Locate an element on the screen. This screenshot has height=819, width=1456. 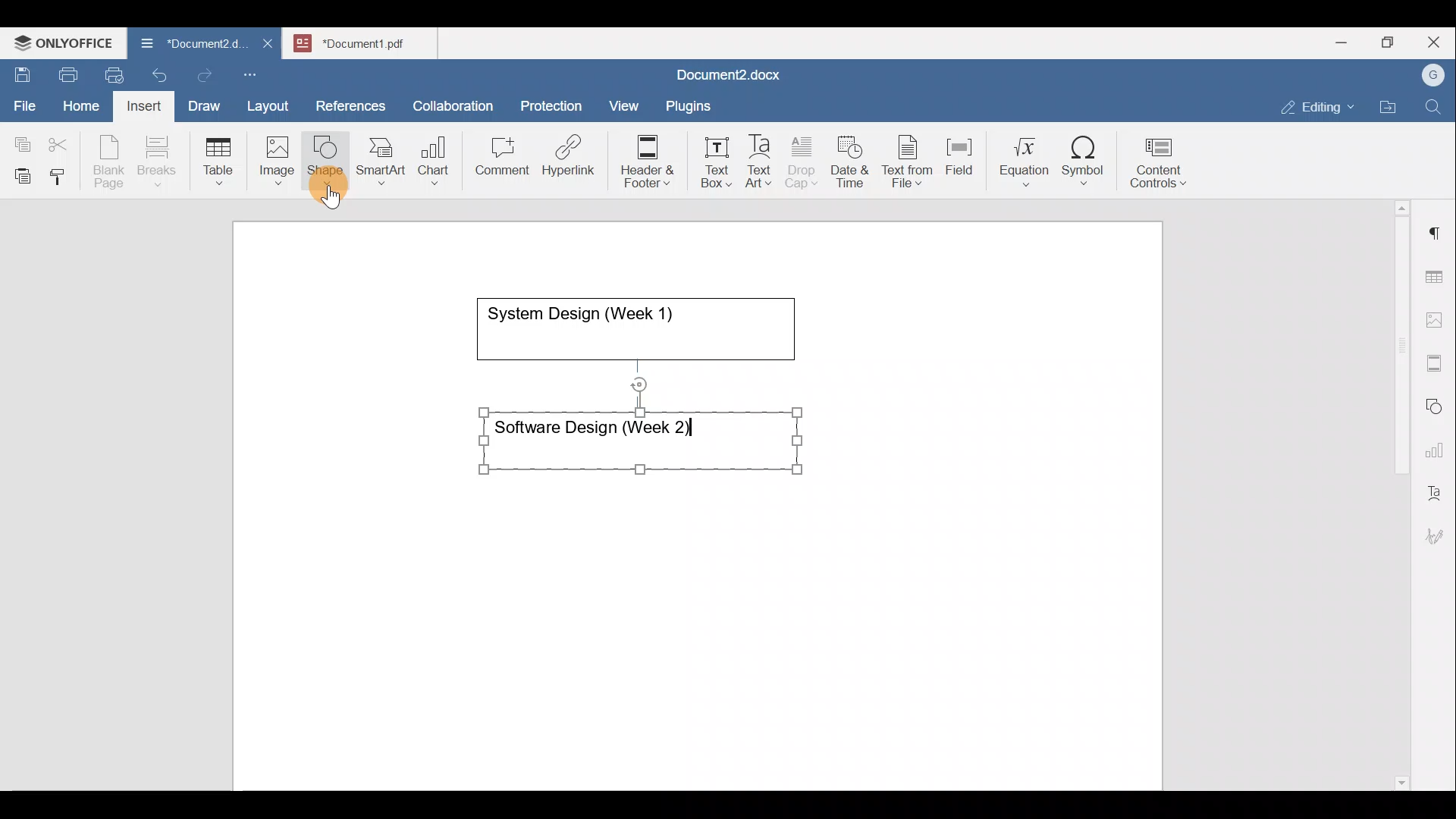
View is located at coordinates (625, 101).